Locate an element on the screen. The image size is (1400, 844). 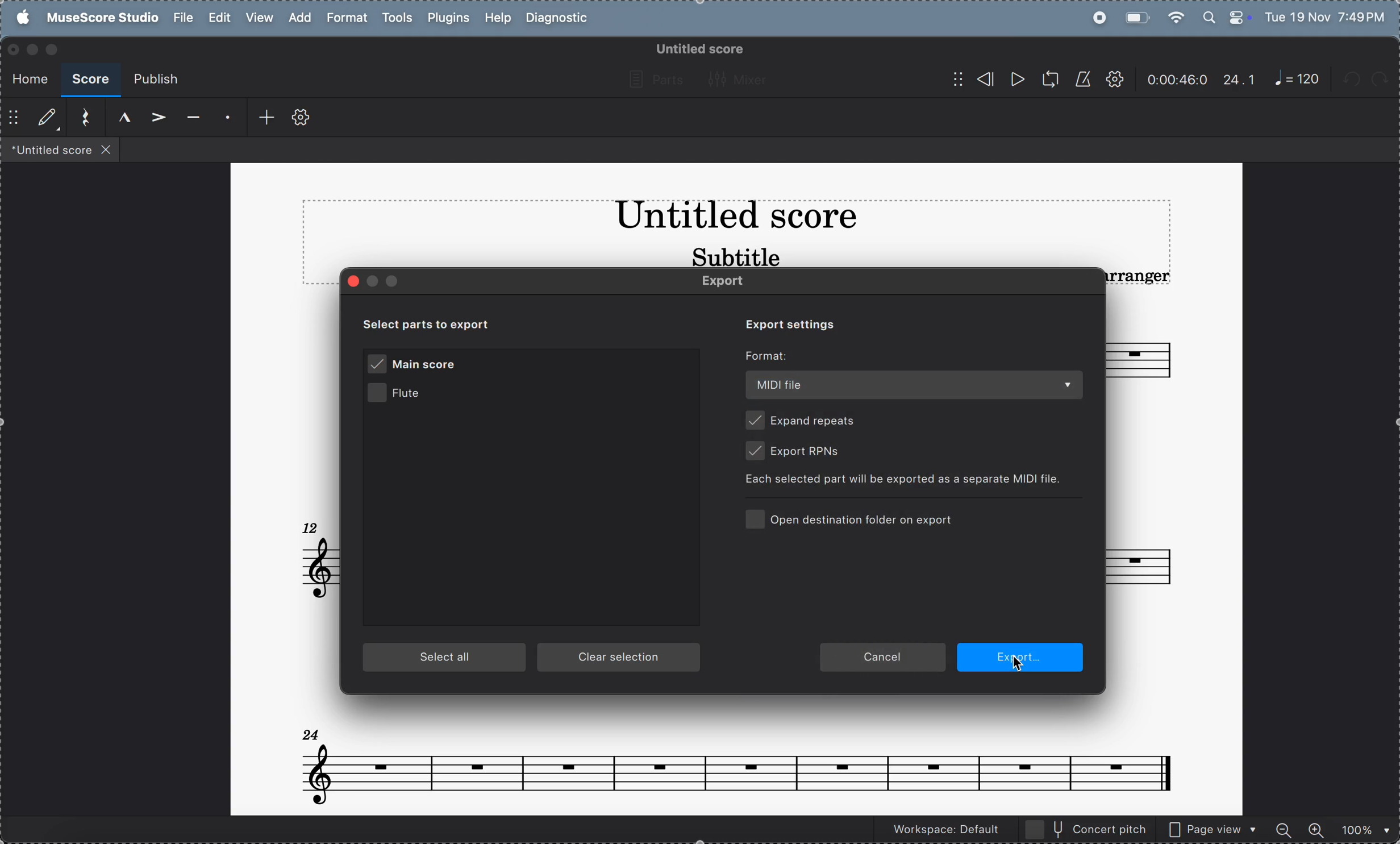
selected parts exported as spearate MIDI file is located at coordinates (906, 477).